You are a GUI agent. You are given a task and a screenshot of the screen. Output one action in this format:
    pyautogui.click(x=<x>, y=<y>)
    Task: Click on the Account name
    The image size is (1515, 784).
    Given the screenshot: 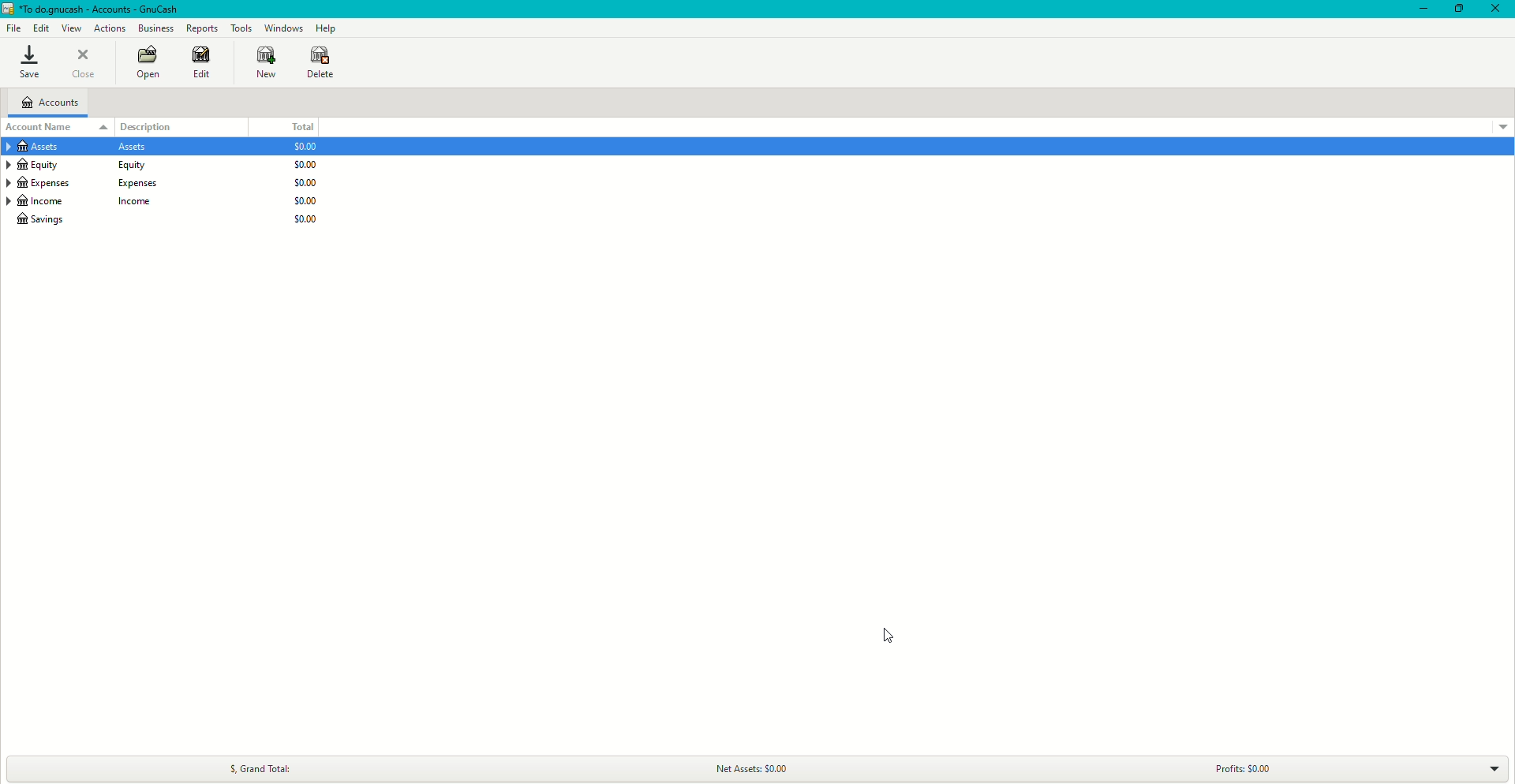 What is the action you would take?
    pyautogui.click(x=42, y=127)
    